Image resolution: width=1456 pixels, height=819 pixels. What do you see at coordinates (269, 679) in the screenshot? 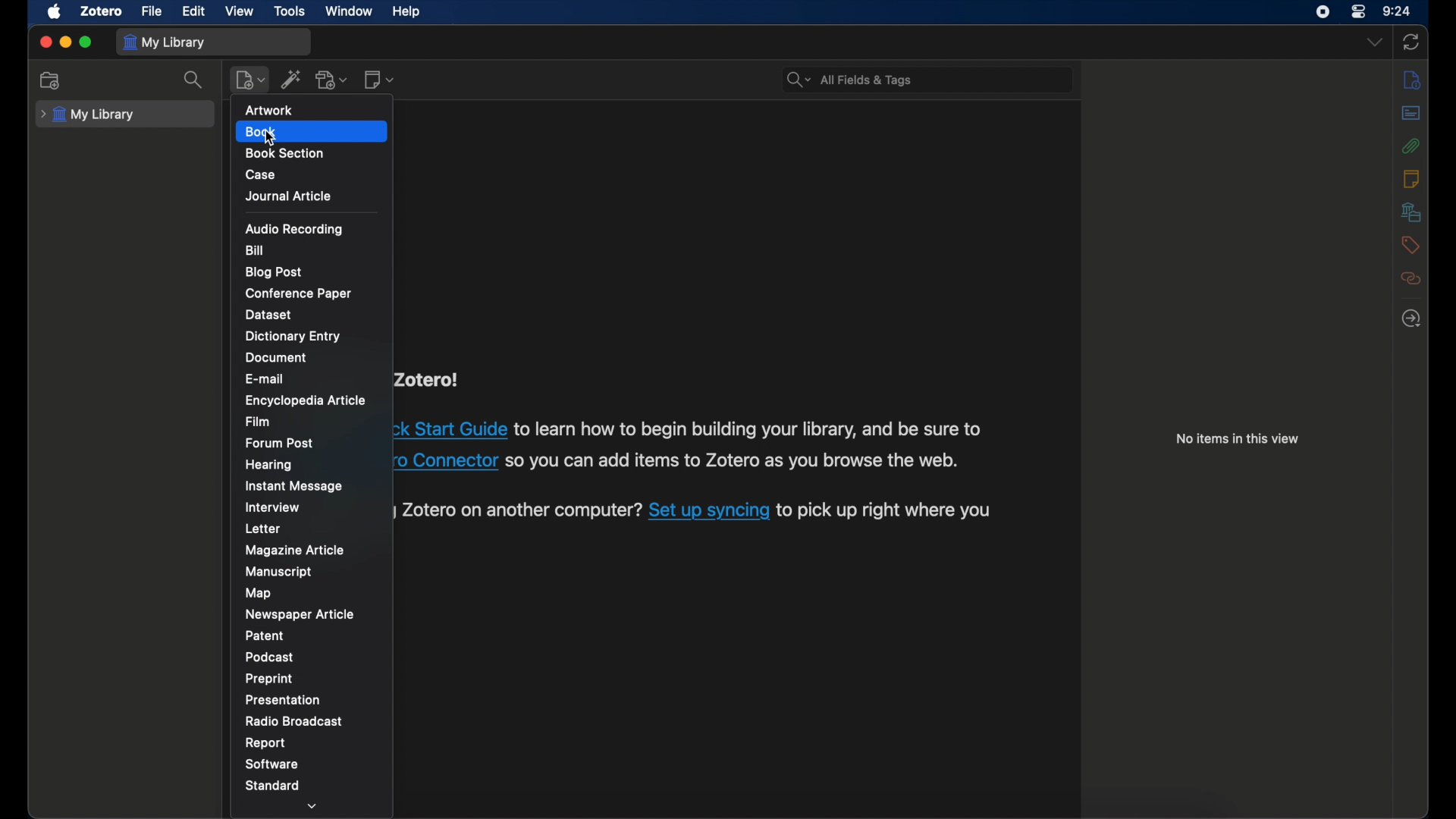
I see `preprint` at bounding box center [269, 679].